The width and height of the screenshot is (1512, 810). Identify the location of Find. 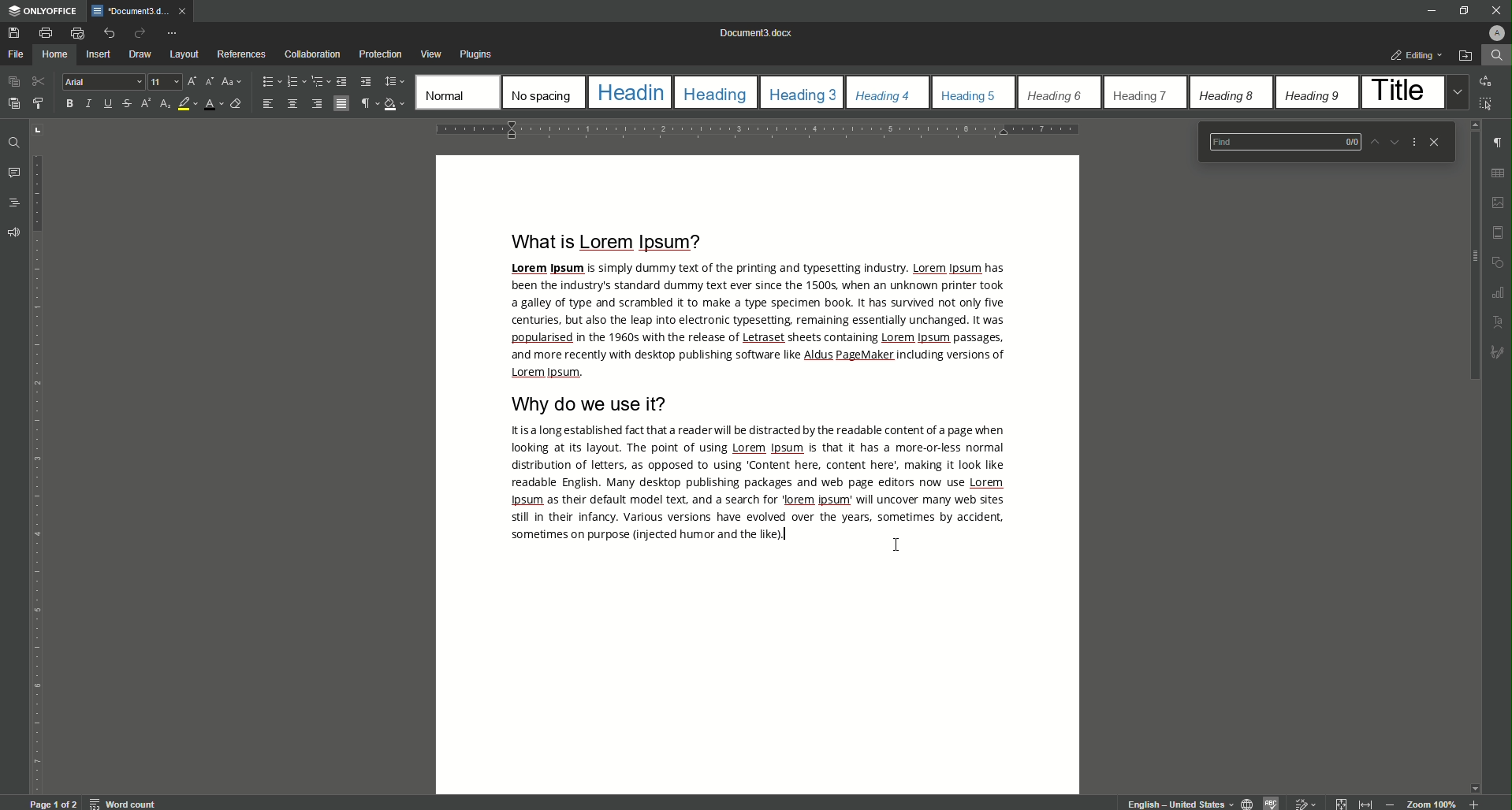
(1278, 142).